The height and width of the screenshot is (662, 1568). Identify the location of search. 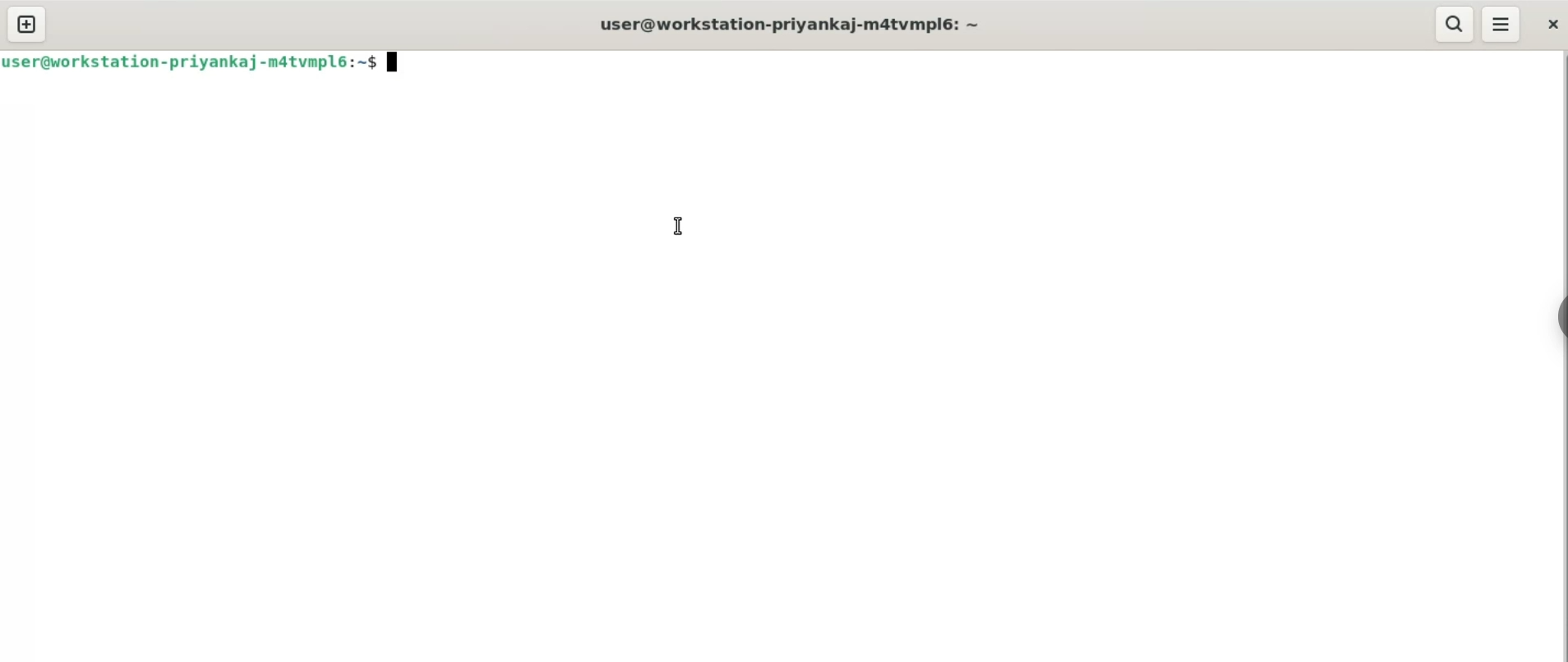
(1454, 23).